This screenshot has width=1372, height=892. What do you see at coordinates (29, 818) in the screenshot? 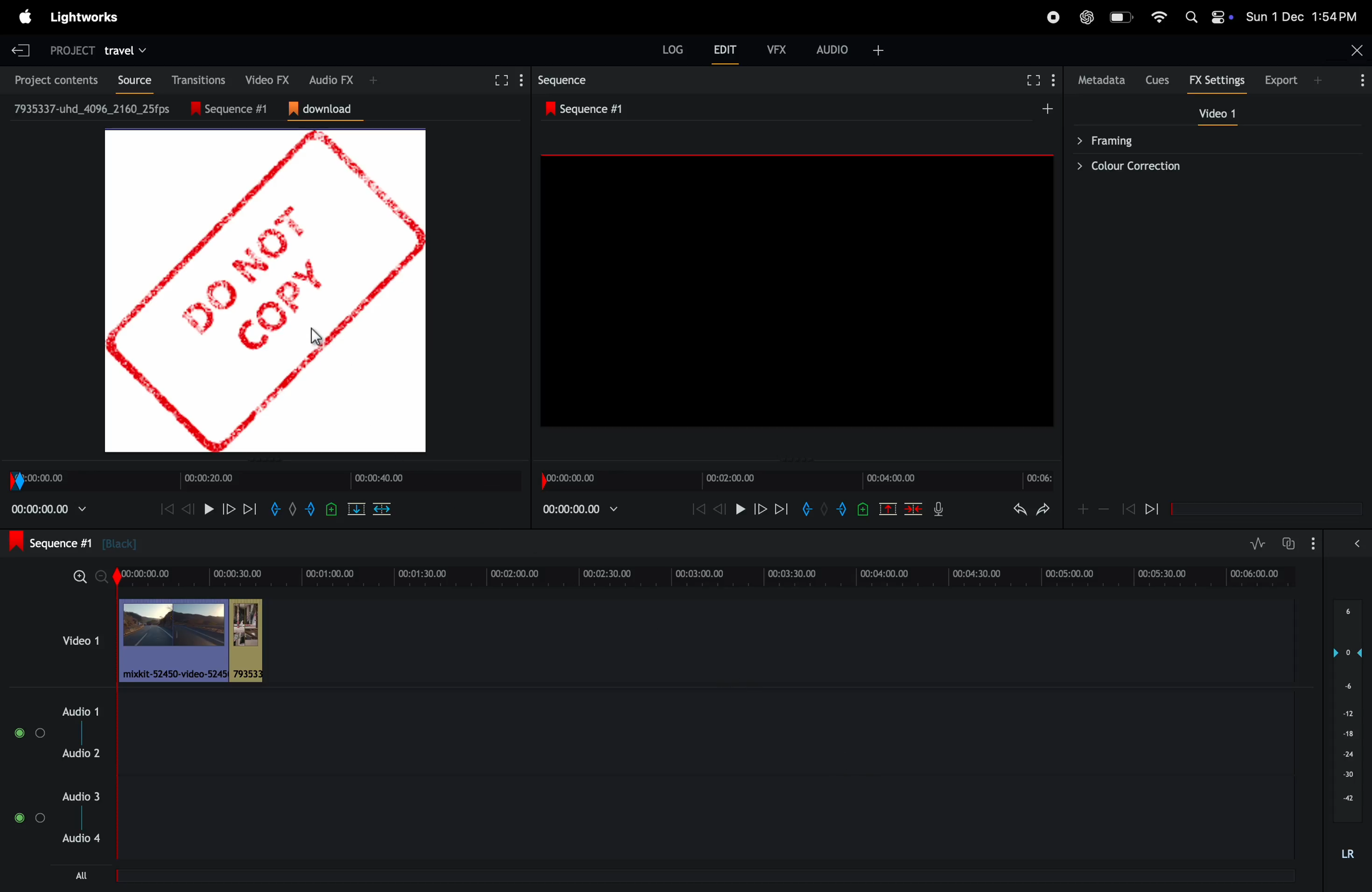
I see `options` at bounding box center [29, 818].